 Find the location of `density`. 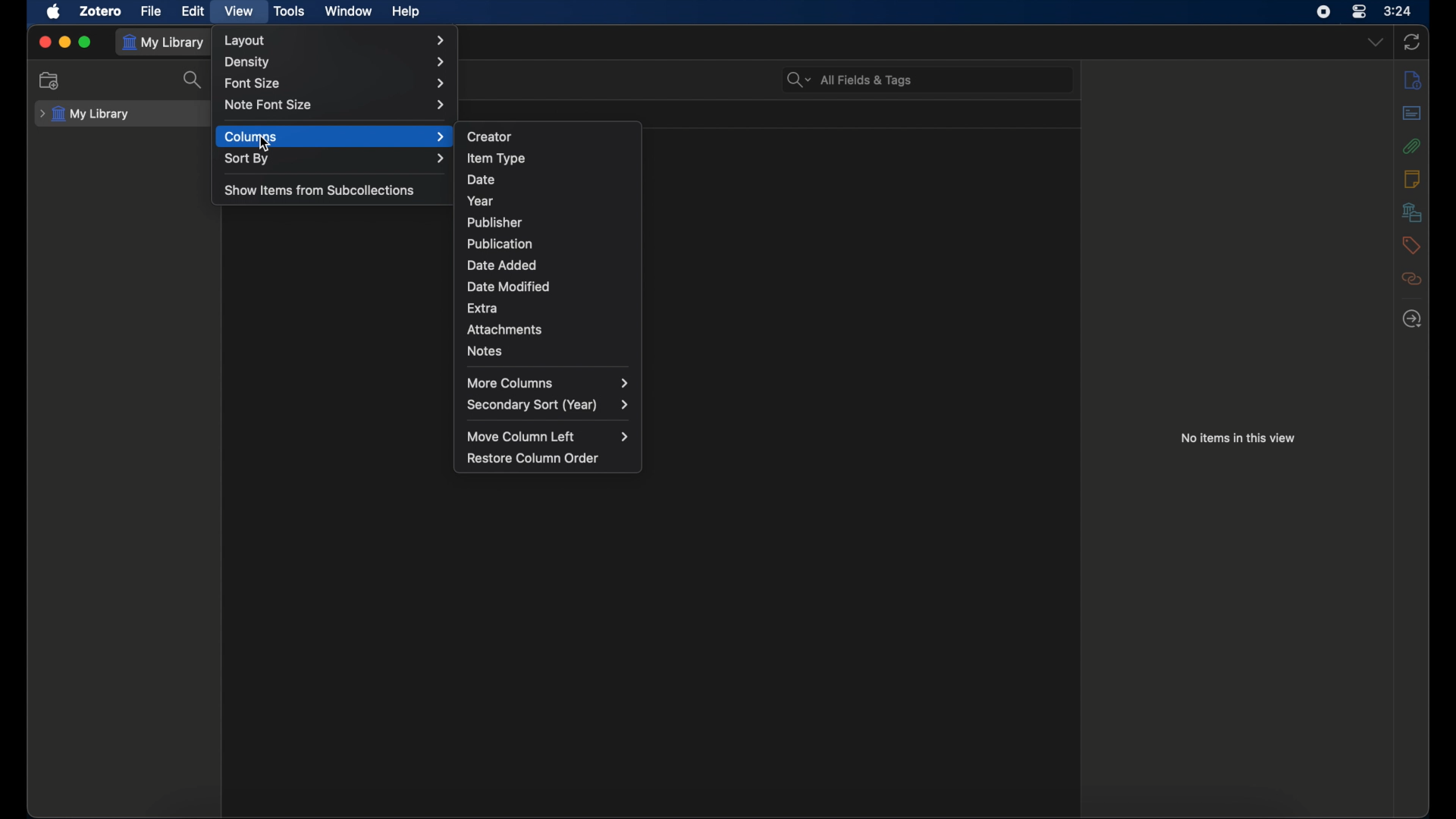

density is located at coordinates (335, 63).